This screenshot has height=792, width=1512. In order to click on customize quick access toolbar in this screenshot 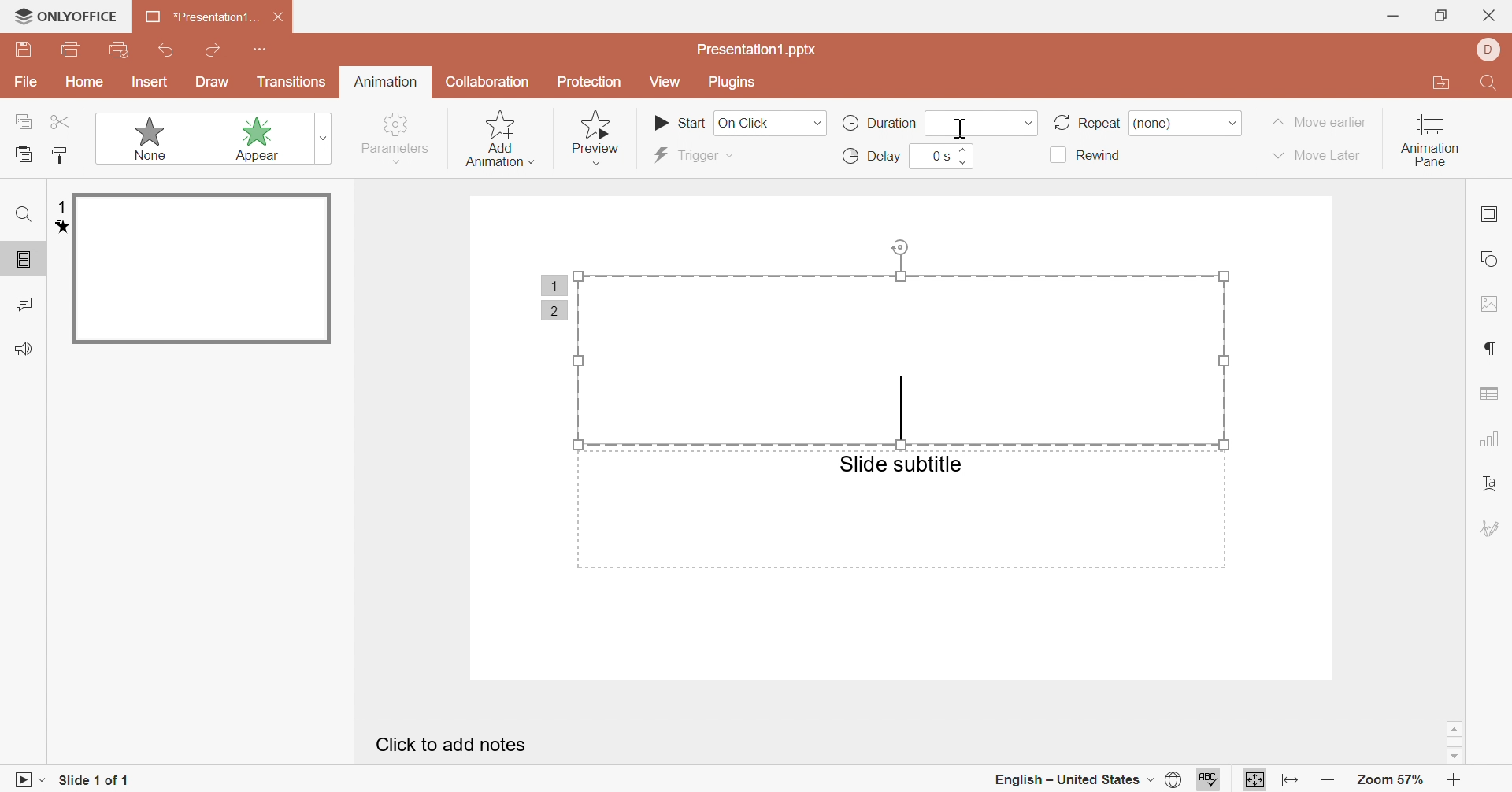, I will do `click(260, 50)`.